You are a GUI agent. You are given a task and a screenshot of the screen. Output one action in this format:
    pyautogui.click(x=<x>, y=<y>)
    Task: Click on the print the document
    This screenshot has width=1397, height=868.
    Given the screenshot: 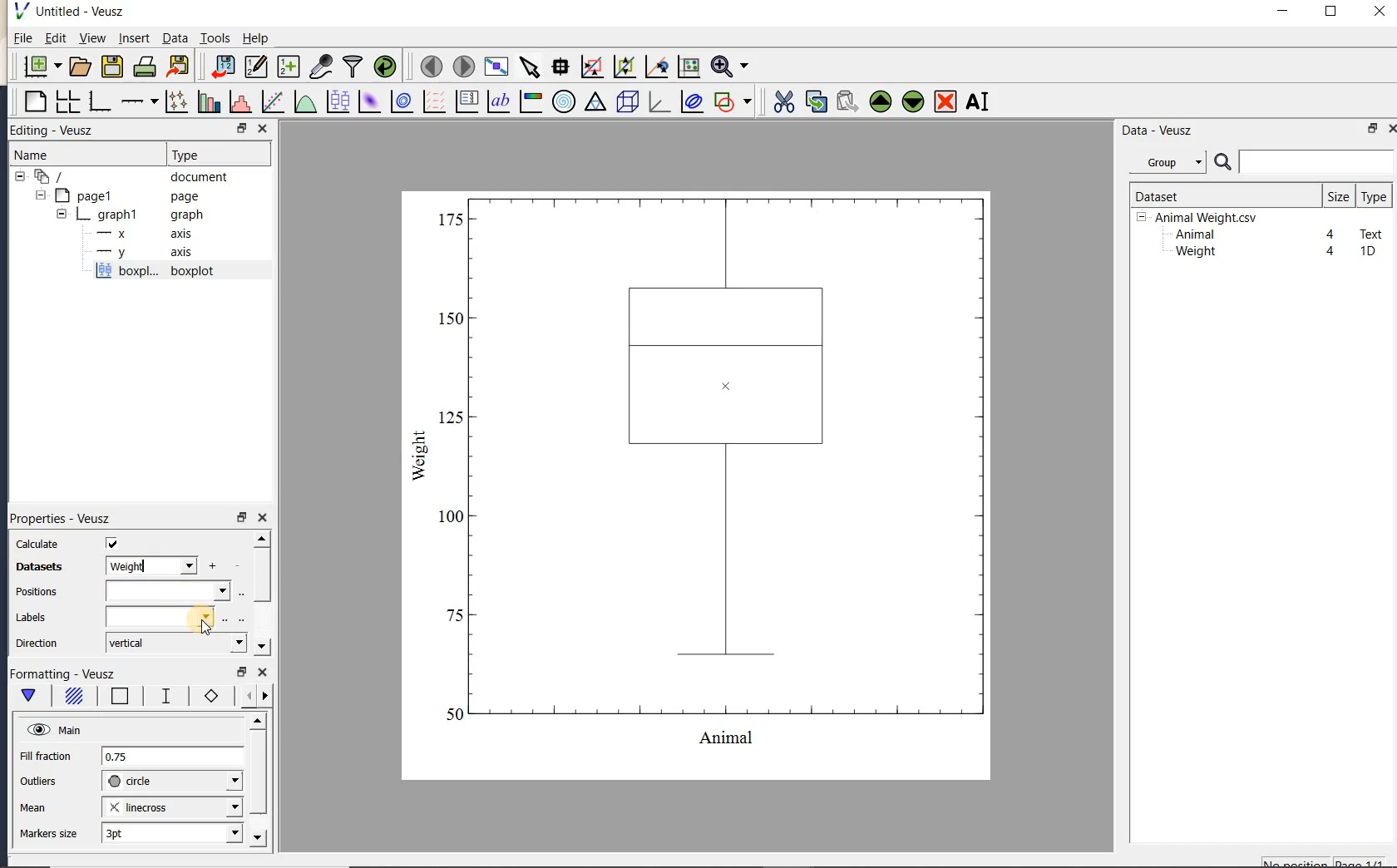 What is the action you would take?
    pyautogui.click(x=145, y=67)
    